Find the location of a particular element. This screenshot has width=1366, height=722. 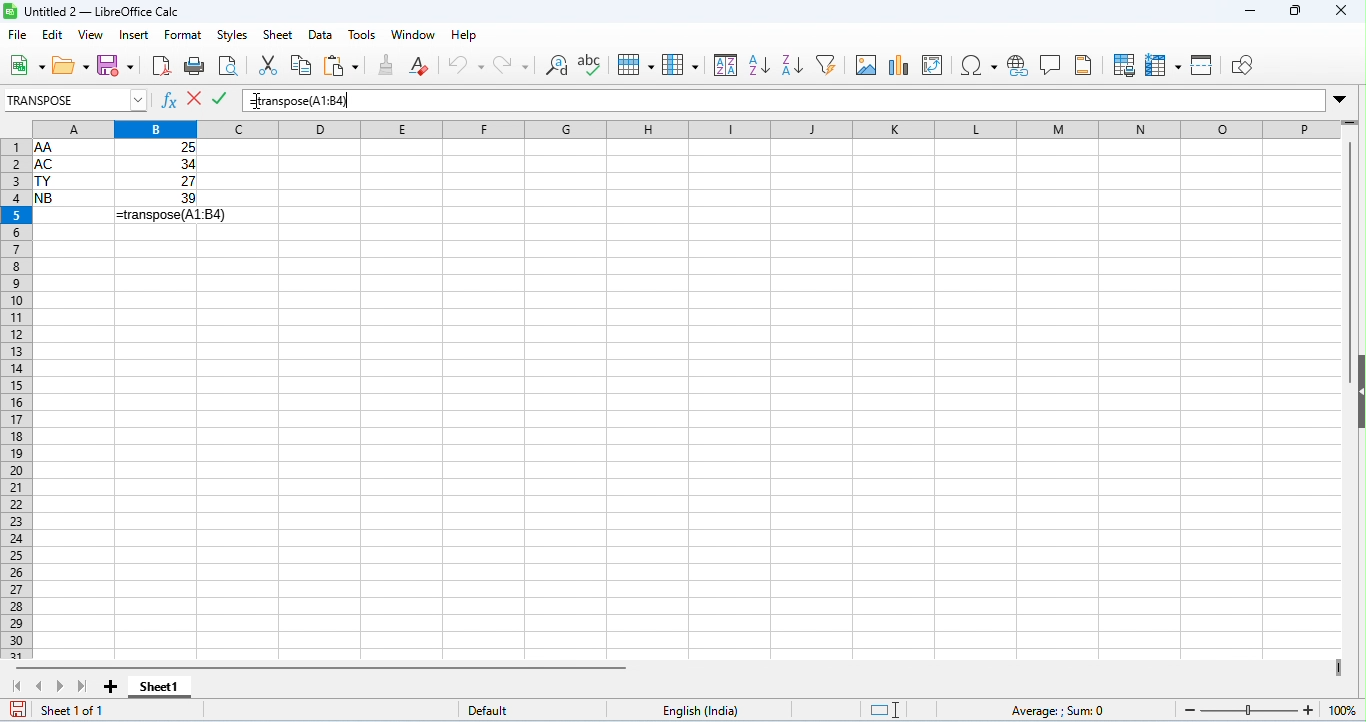

clear direct formatting is located at coordinates (423, 65).